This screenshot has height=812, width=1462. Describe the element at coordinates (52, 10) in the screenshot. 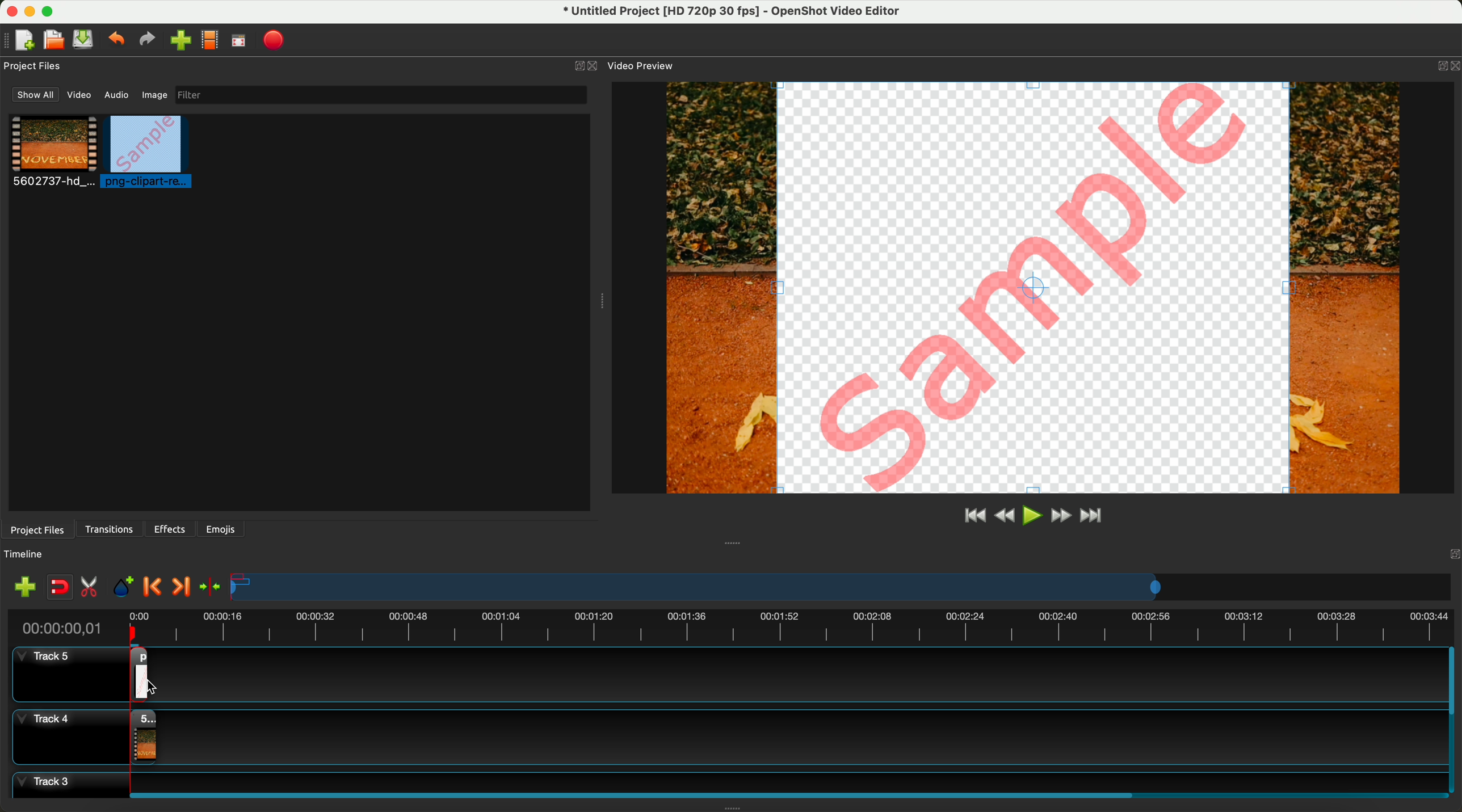

I see `maximize` at that location.